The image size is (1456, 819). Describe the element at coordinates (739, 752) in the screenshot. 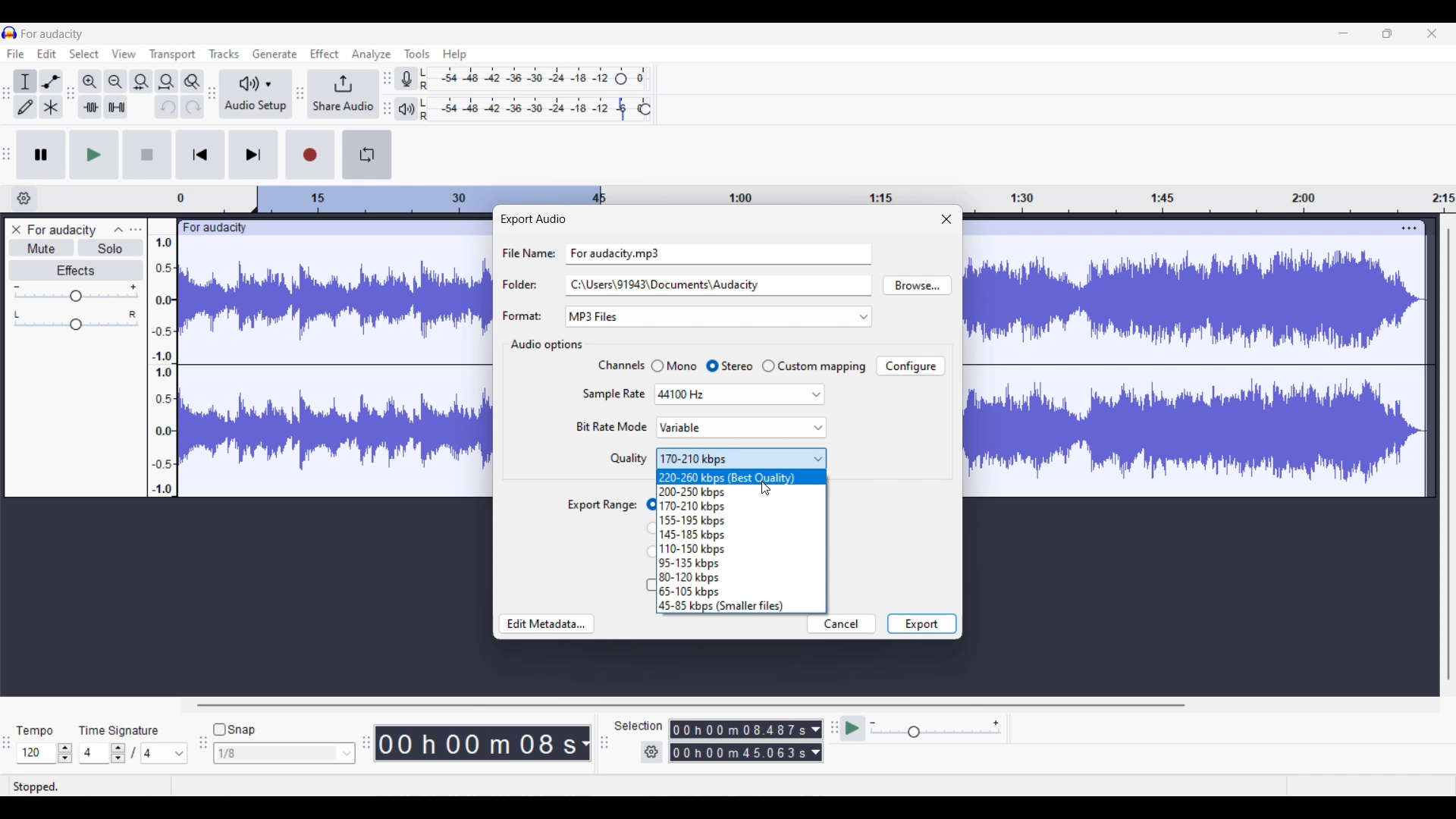

I see `Selection duration measurement` at that location.